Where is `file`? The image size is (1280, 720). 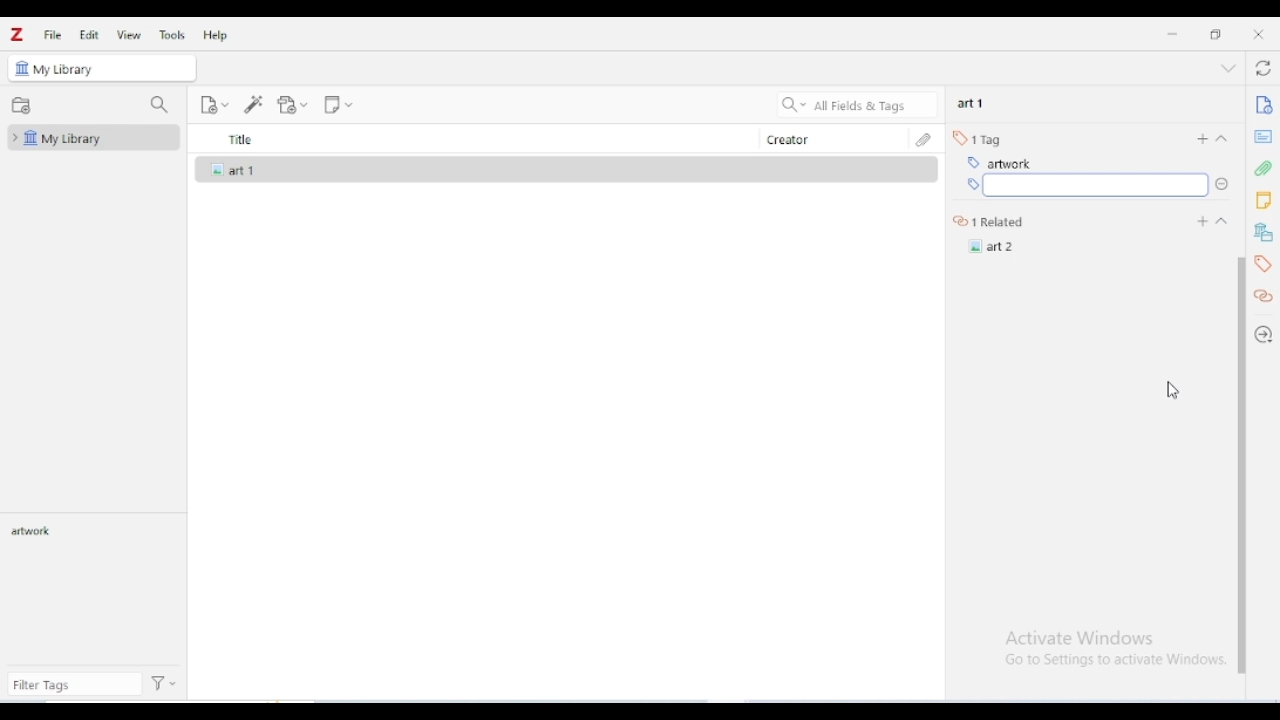 file is located at coordinates (53, 36).